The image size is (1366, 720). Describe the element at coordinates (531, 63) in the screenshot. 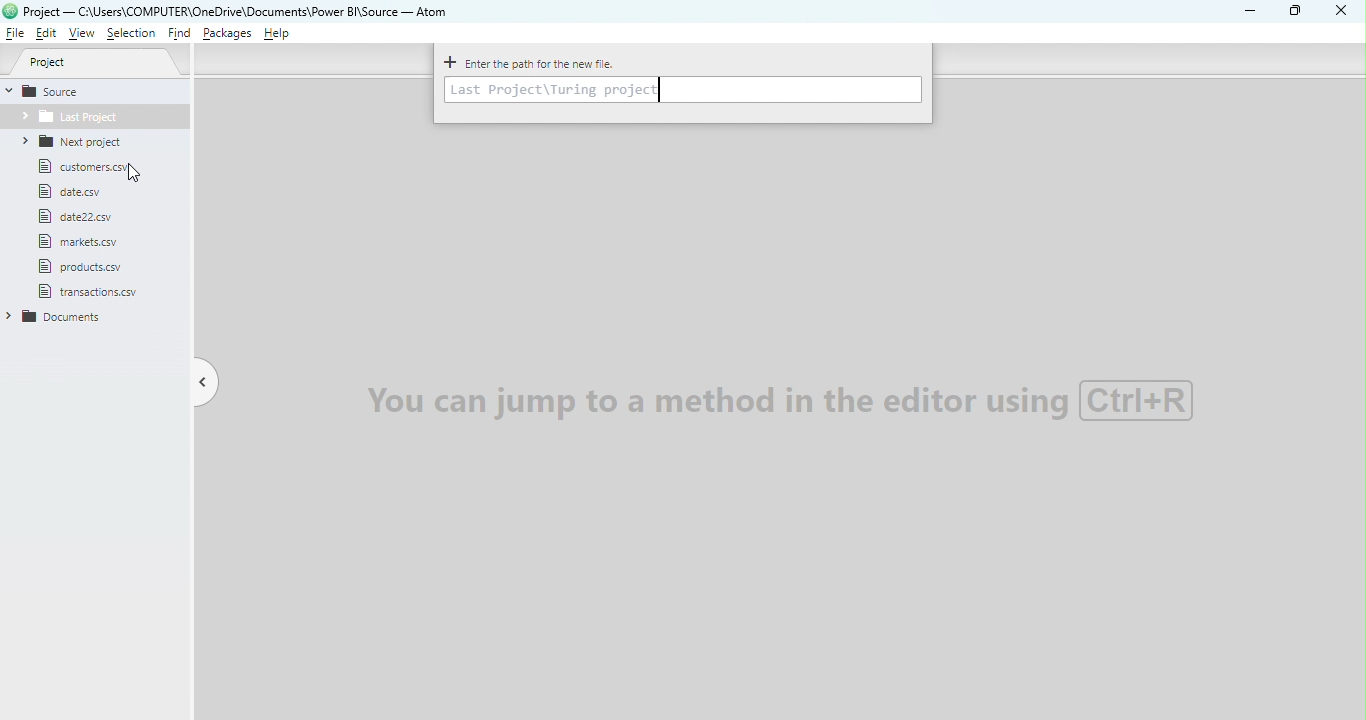

I see `Enter the path for the new file` at that location.